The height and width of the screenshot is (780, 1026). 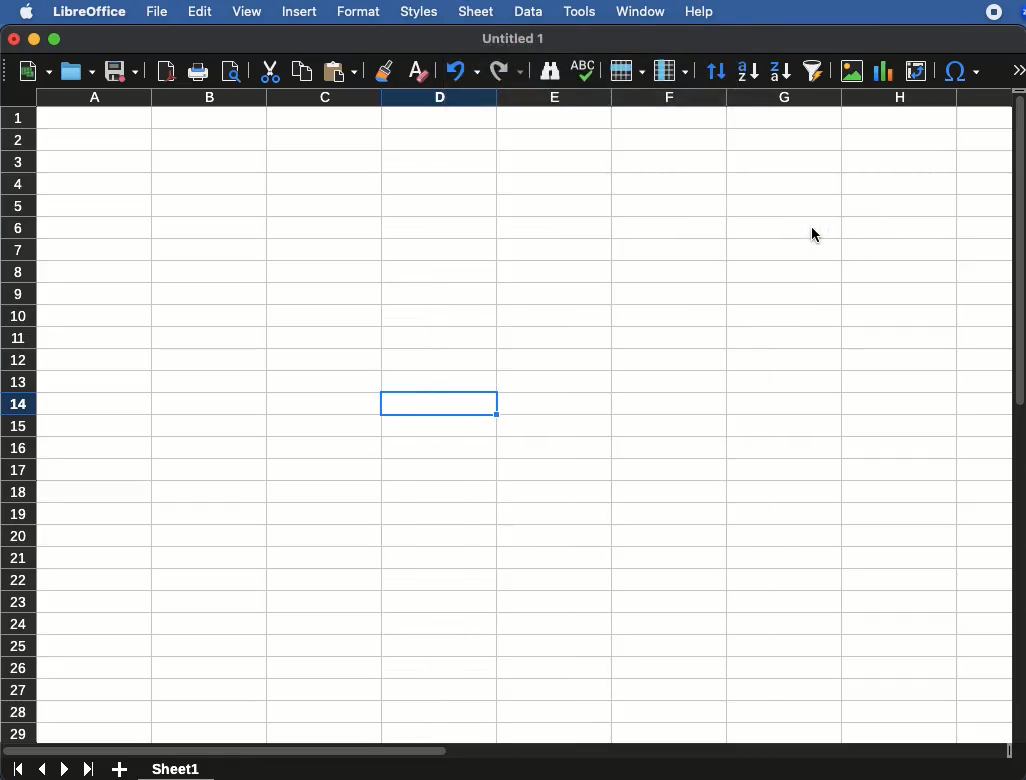 I want to click on autofilter, so click(x=814, y=71).